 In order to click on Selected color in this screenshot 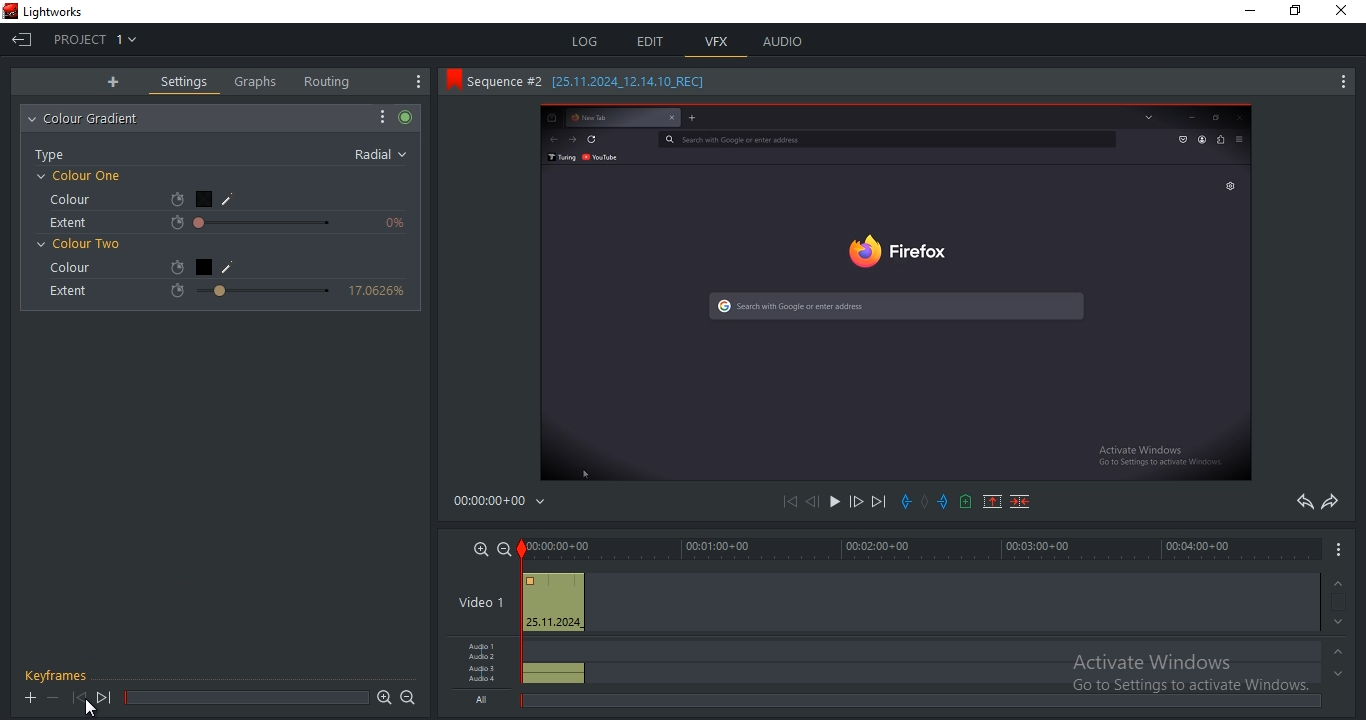, I will do `click(202, 198)`.